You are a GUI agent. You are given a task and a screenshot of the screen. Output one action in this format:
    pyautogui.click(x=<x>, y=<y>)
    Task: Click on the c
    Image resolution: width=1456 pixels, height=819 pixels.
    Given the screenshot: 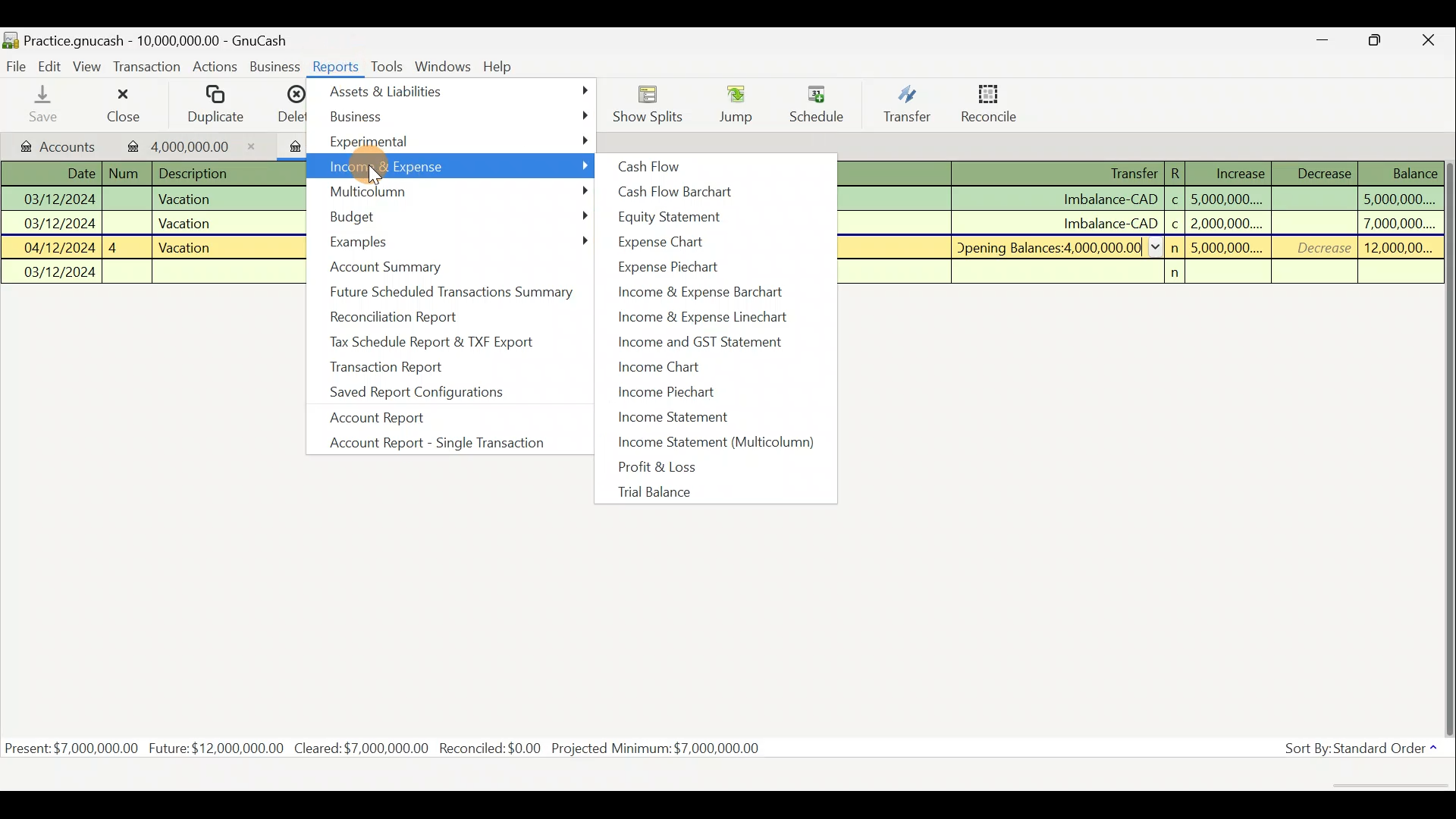 What is the action you would take?
    pyautogui.click(x=1175, y=200)
    